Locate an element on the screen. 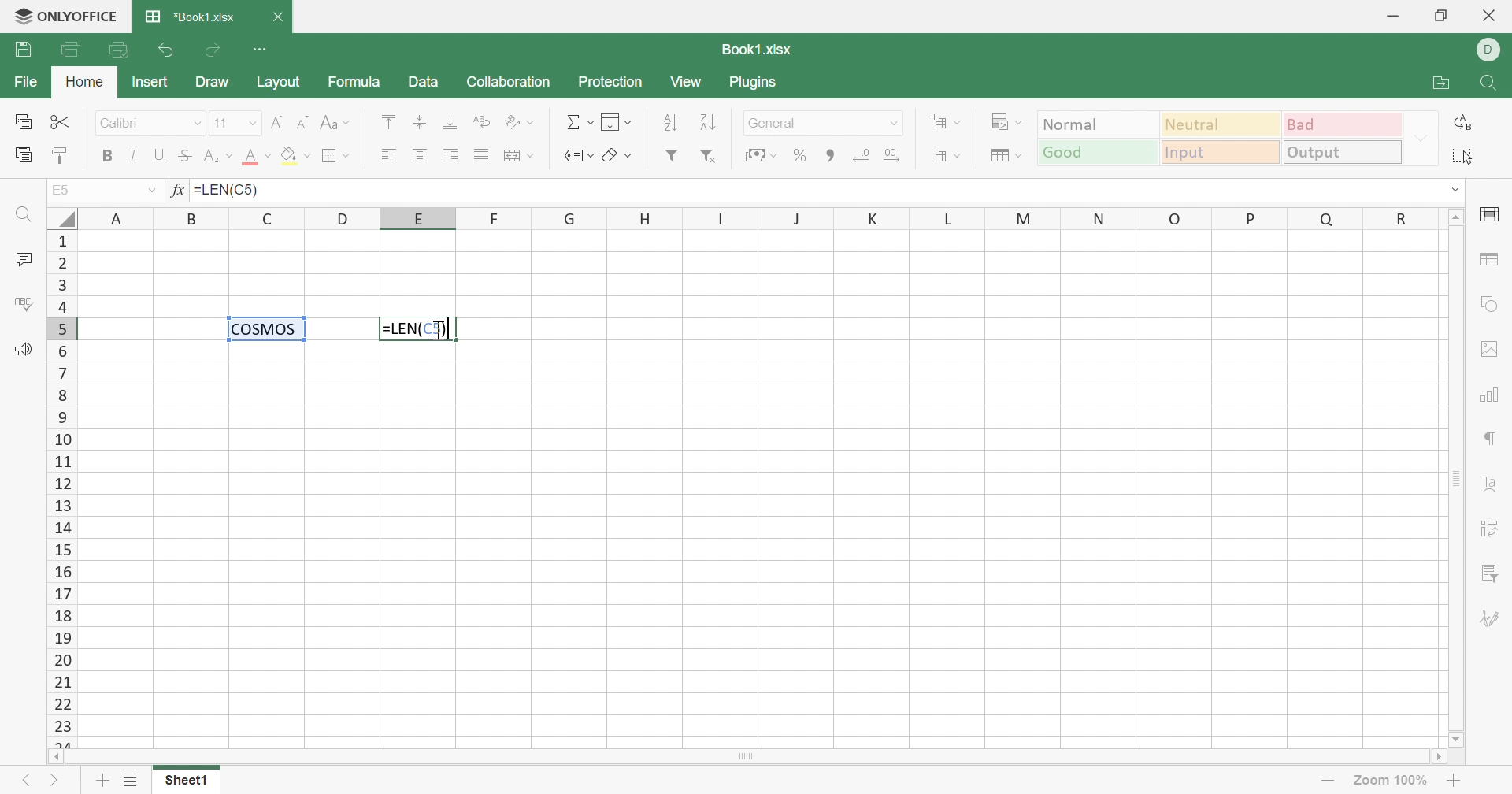 The image size is (1512, 794). Image settings is located at coordinates (1489, 350).